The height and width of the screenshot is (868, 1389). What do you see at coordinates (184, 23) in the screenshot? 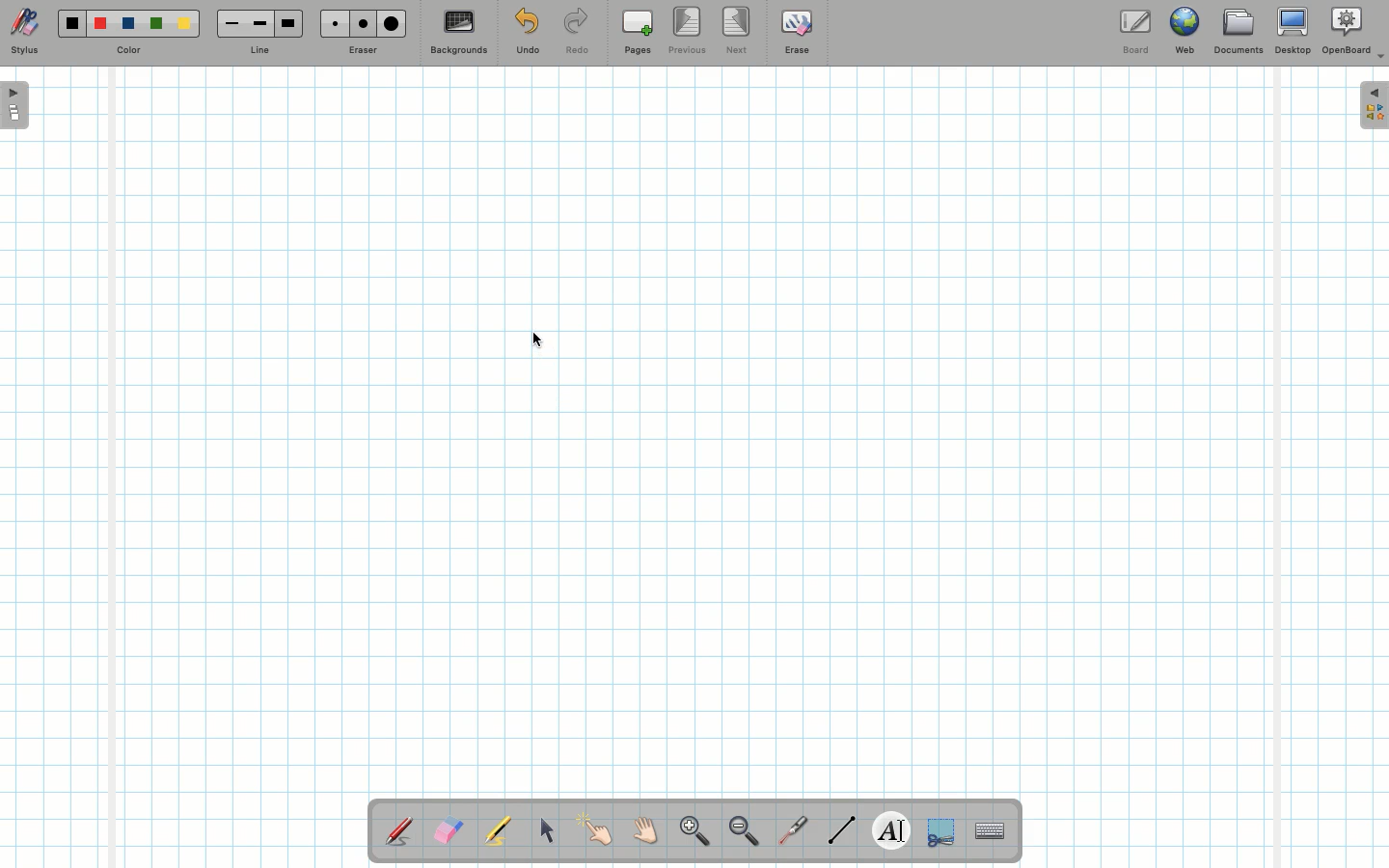
I see `Yellow` at bounding box center [184, 23].